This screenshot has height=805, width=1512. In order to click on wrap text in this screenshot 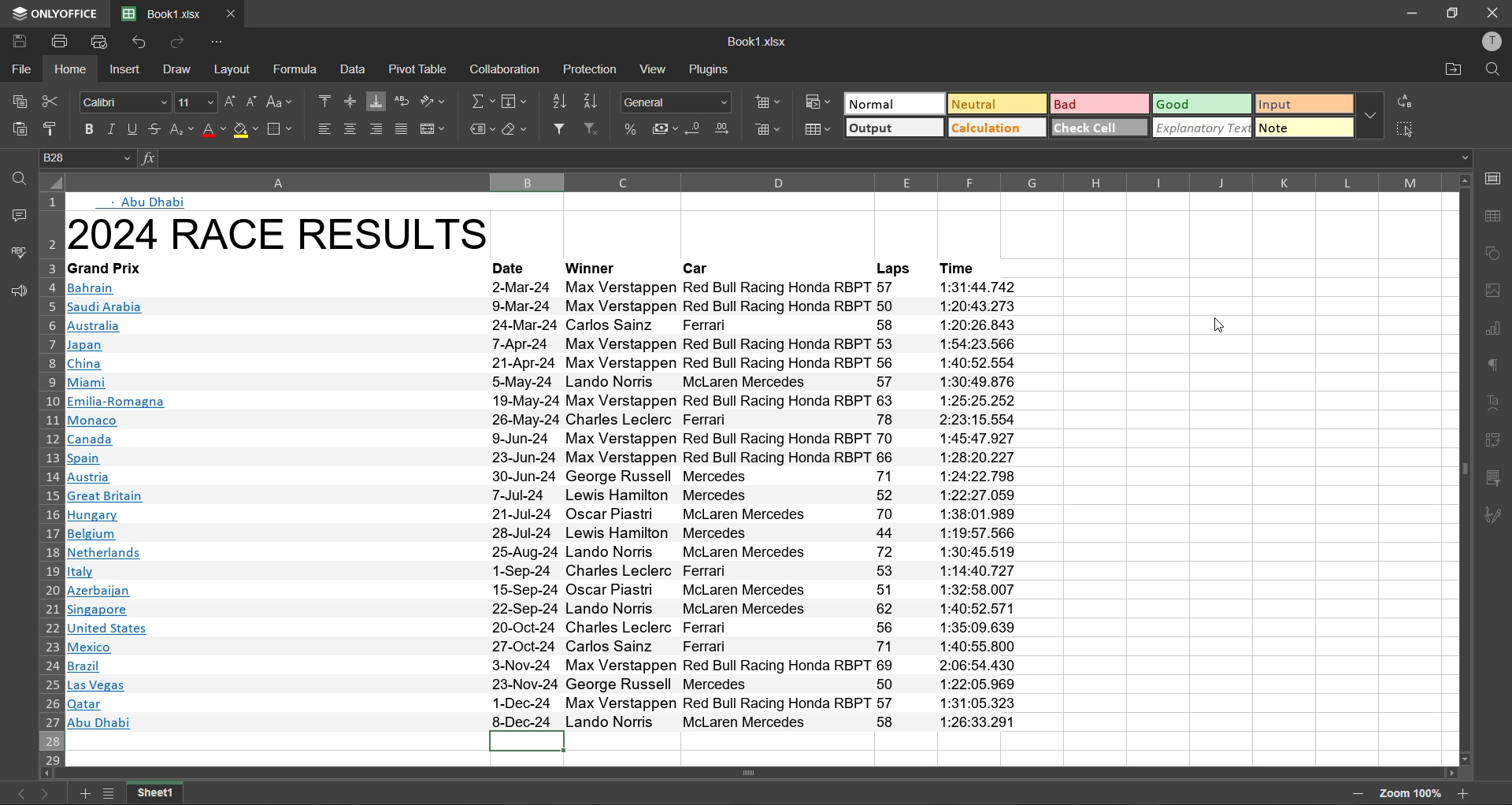, I will do `click(402, 101)`.